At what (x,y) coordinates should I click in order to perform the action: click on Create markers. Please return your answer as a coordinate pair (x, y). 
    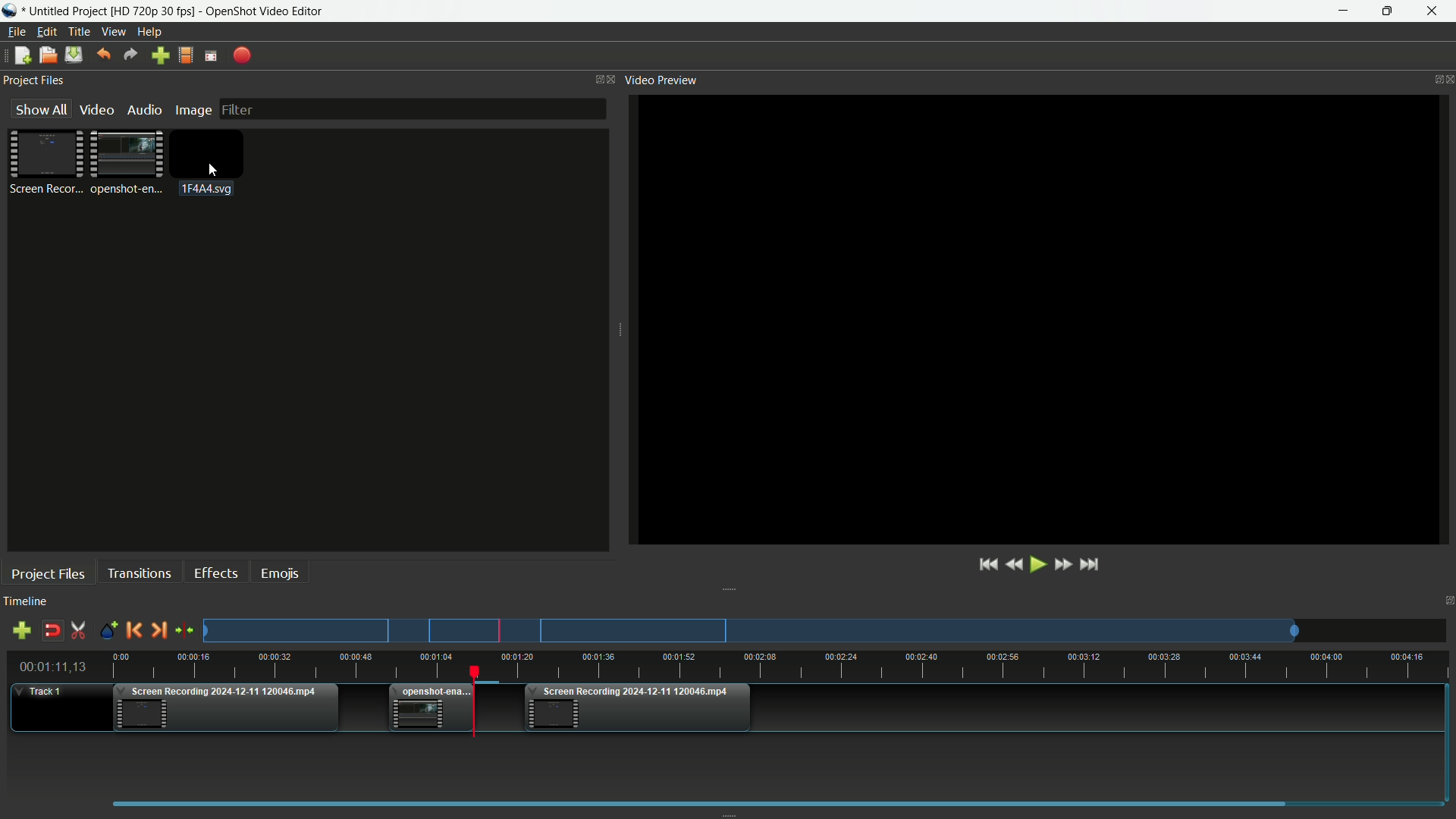
    Looking at the image, I should click on (104, 631).